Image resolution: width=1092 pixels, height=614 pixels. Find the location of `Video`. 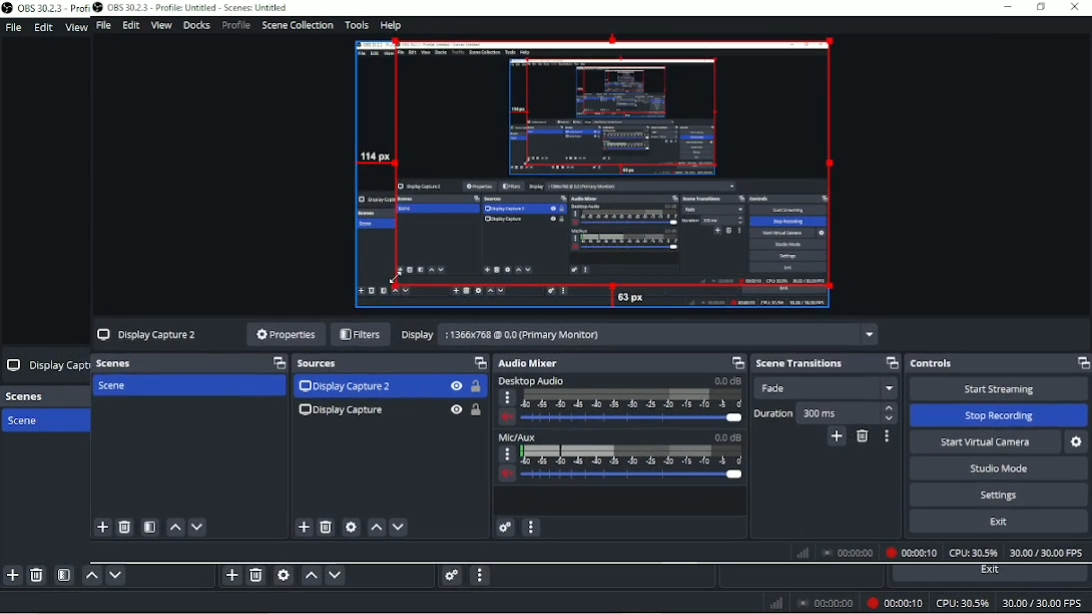

Video is located at coordinates (589, 175).